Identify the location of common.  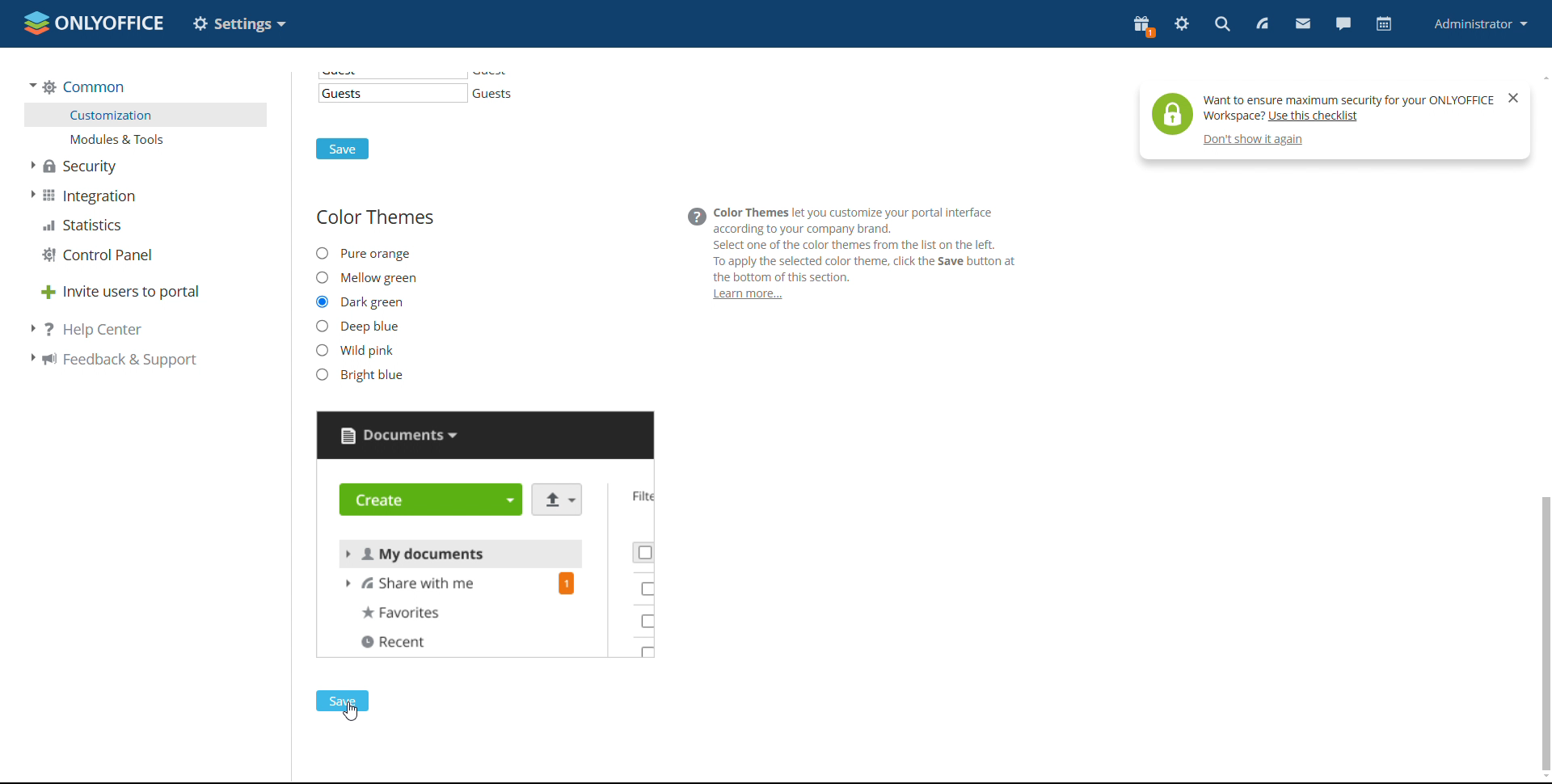
(77, 86).